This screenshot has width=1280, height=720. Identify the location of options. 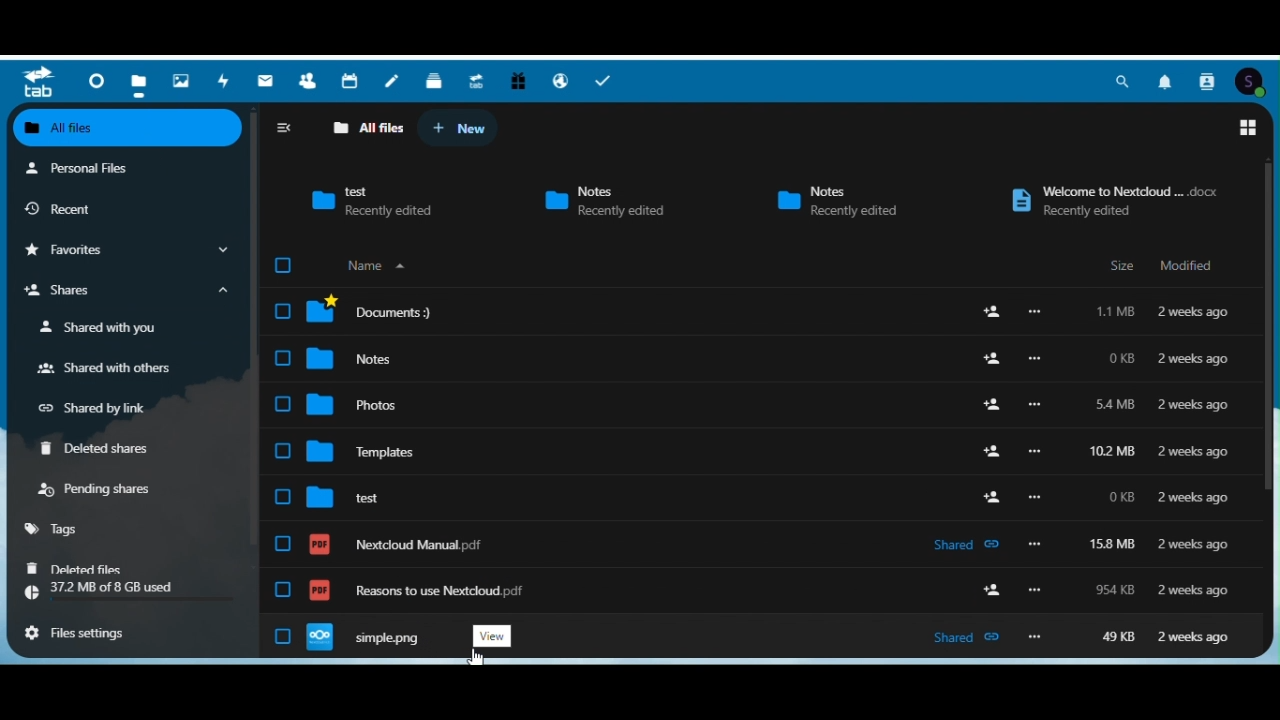
(1035, 497).